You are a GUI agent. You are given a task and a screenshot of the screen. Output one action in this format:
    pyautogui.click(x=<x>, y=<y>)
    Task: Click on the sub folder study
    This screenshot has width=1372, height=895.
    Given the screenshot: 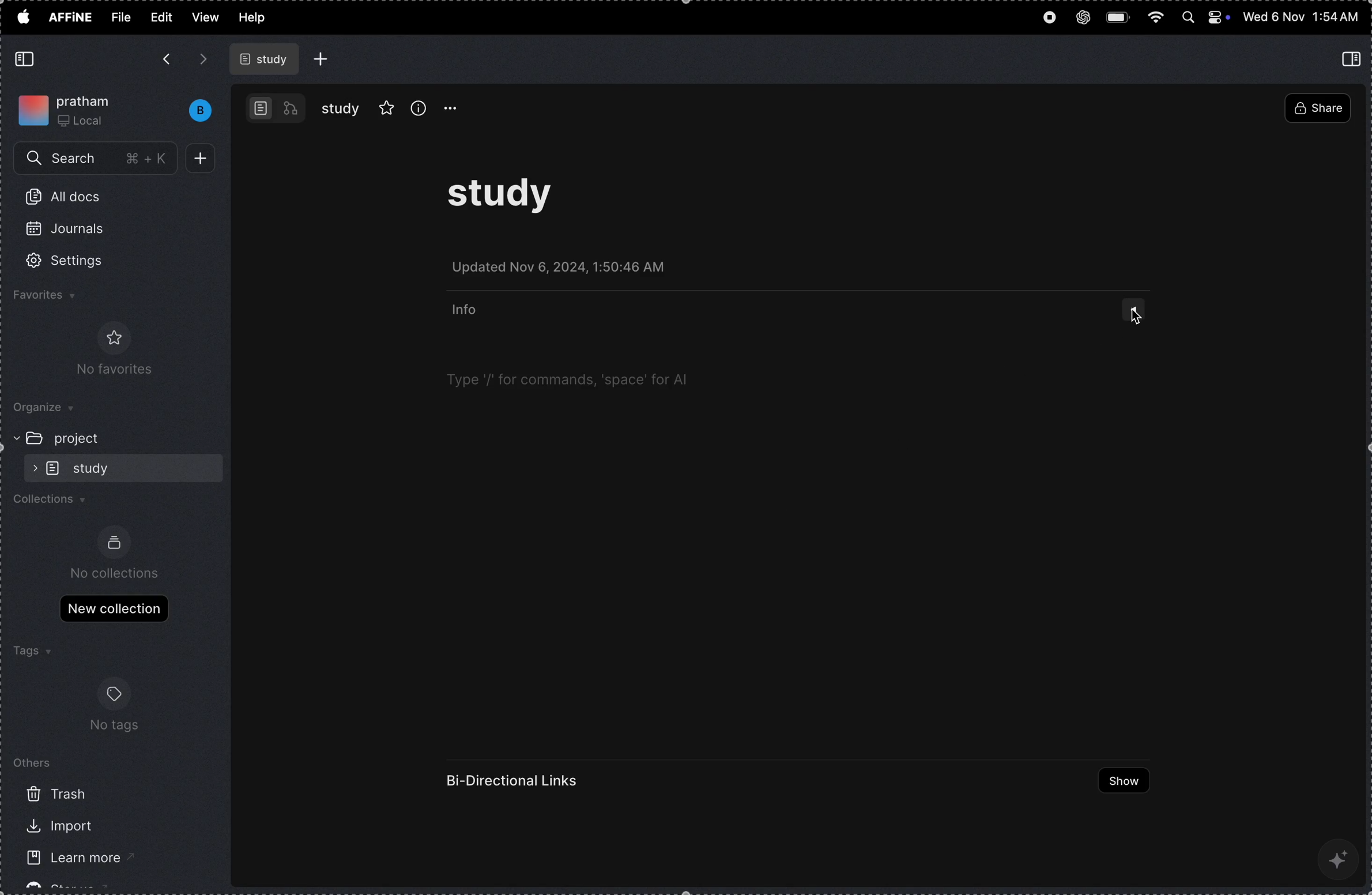 What is the action you would take?
    pyautogui.click(x=95, y=467)
    